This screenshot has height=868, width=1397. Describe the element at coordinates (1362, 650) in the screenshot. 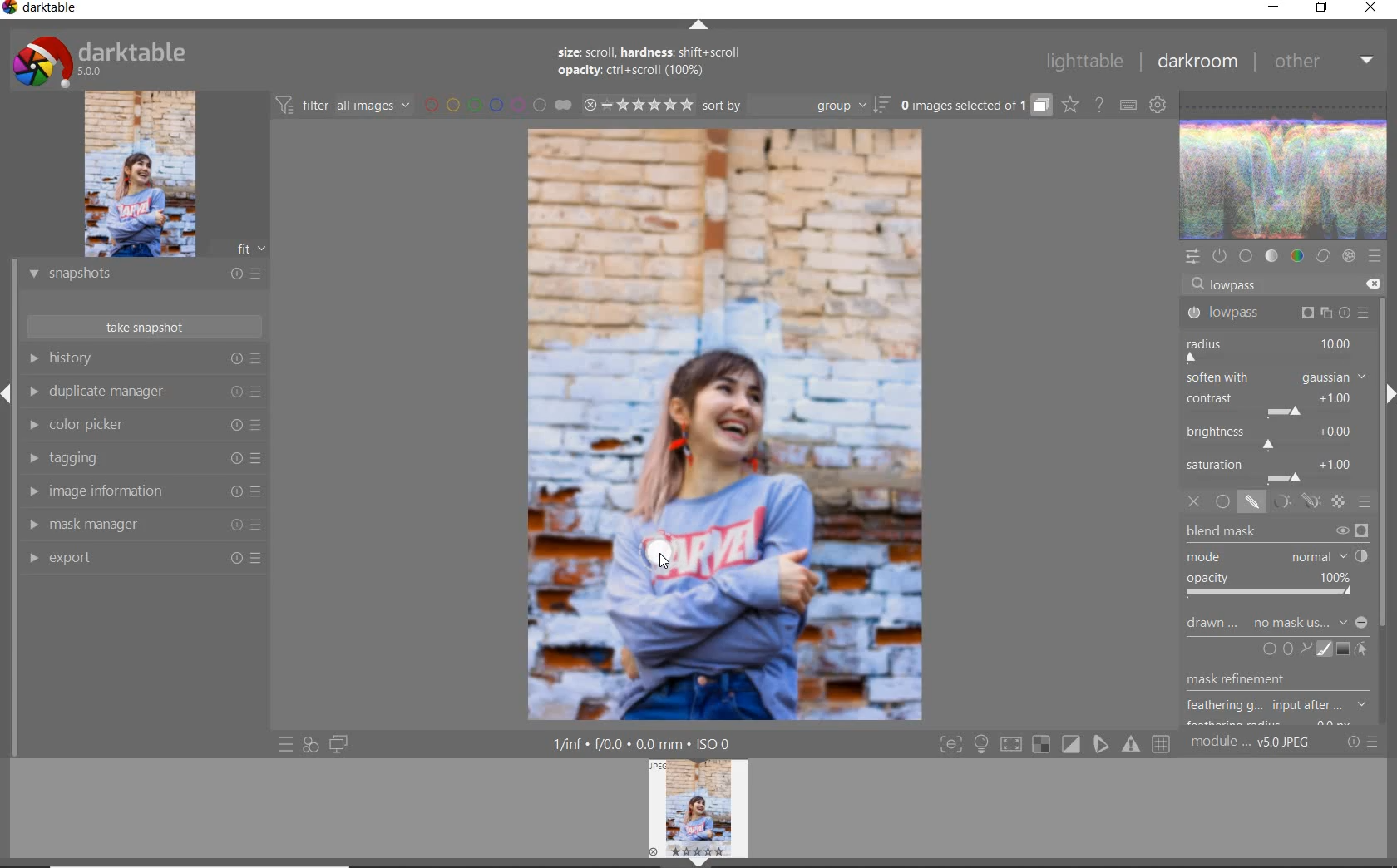

I see `show & edit mask elements` at that location.